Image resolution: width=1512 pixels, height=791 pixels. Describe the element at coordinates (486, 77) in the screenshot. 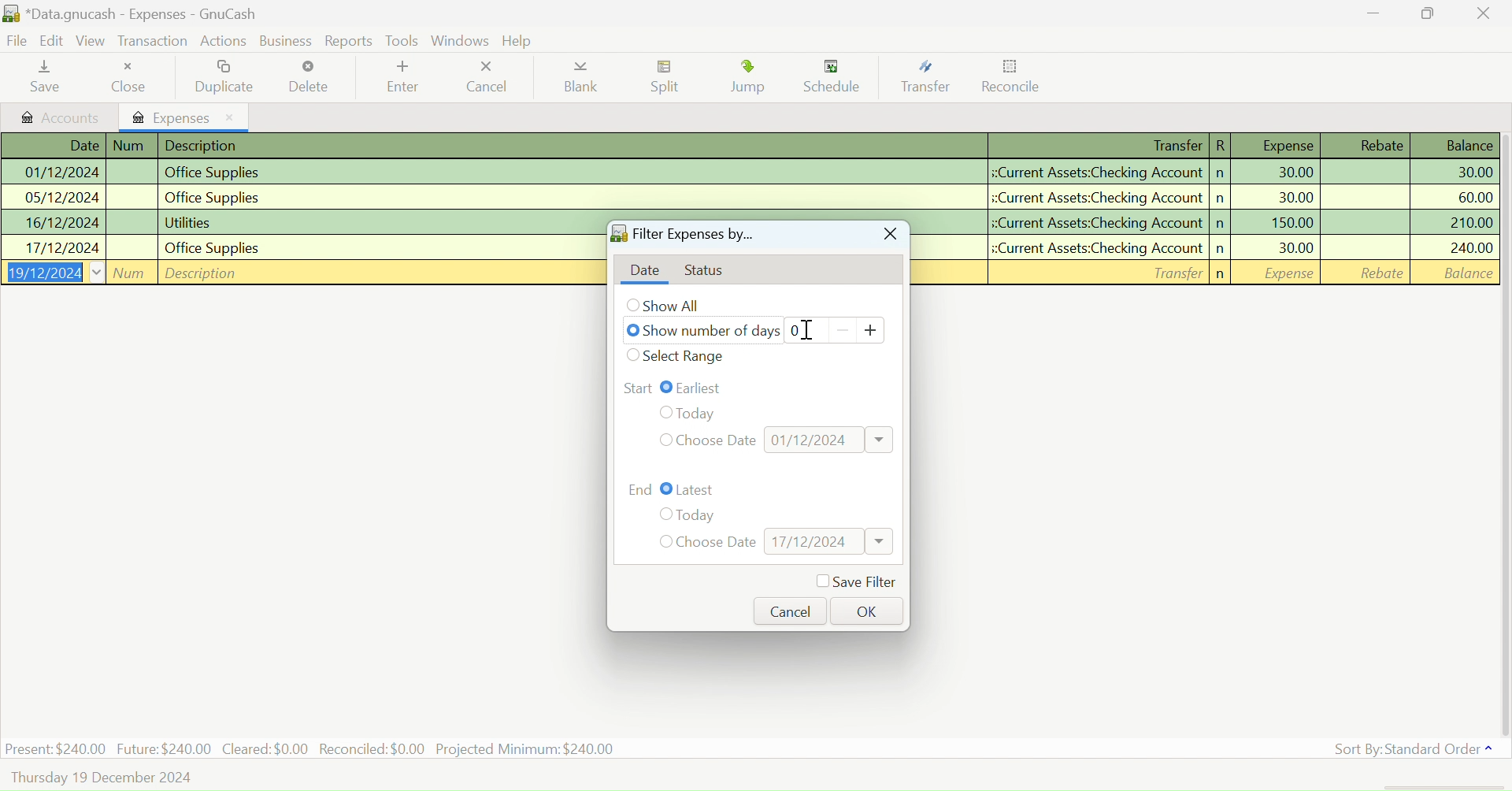

I see `Cancel` at that location.